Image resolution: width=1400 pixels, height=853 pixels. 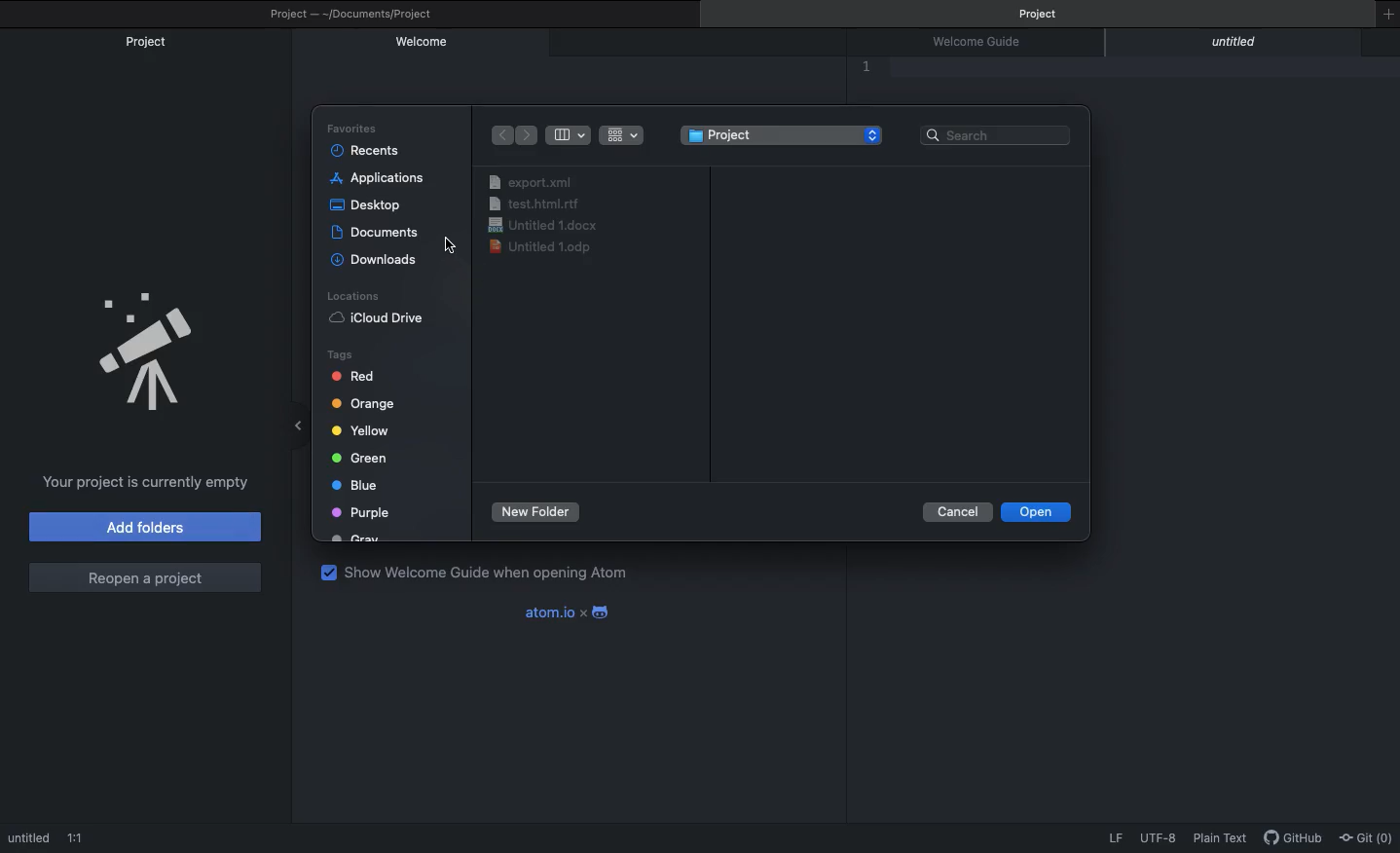 What do you see at coordinates (1117, 834) in the screenshot?
I see `LF` at bounding box center [1117, 834].